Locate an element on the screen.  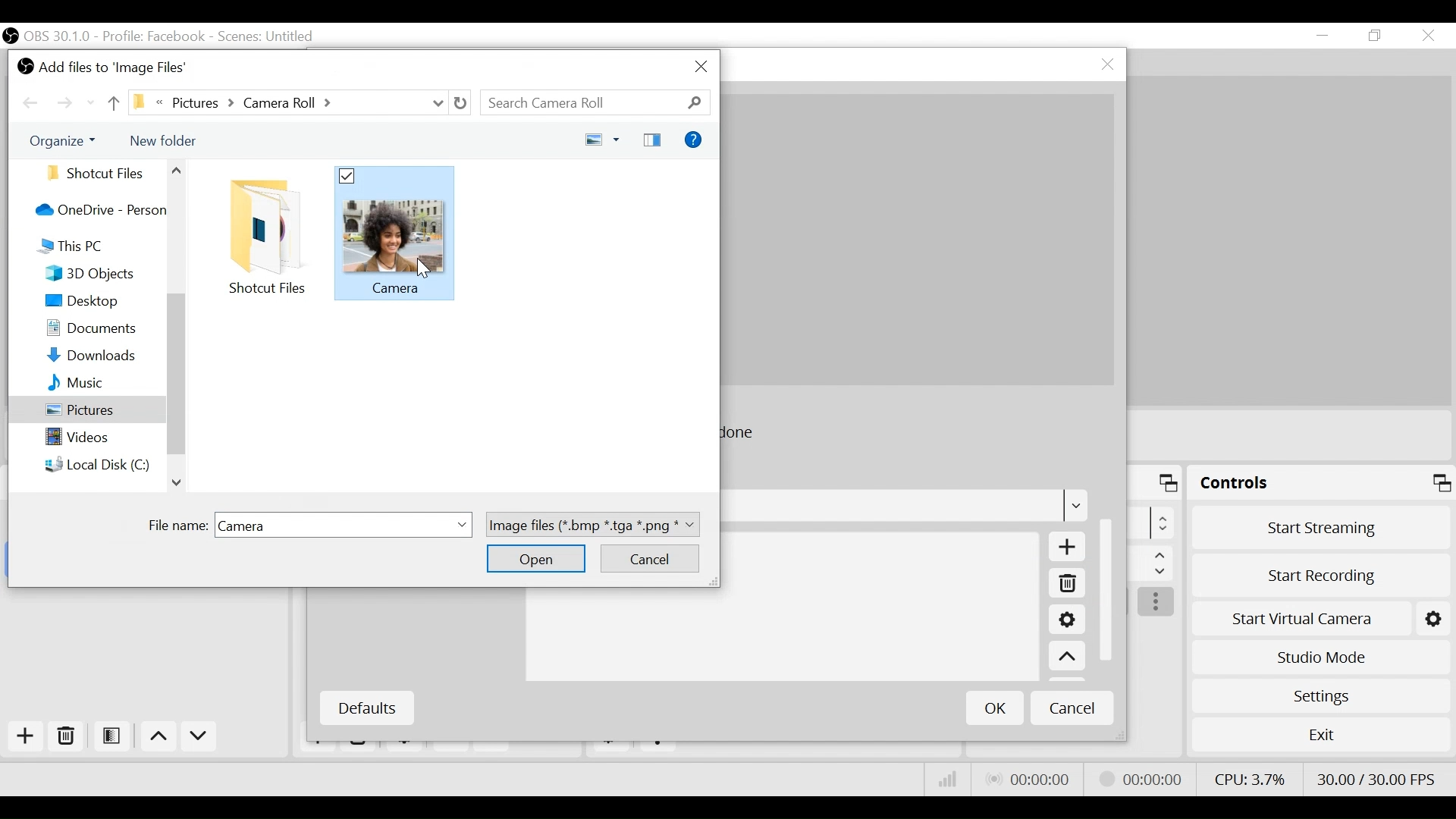
Start Recording is located at coordinates (1323, 571).